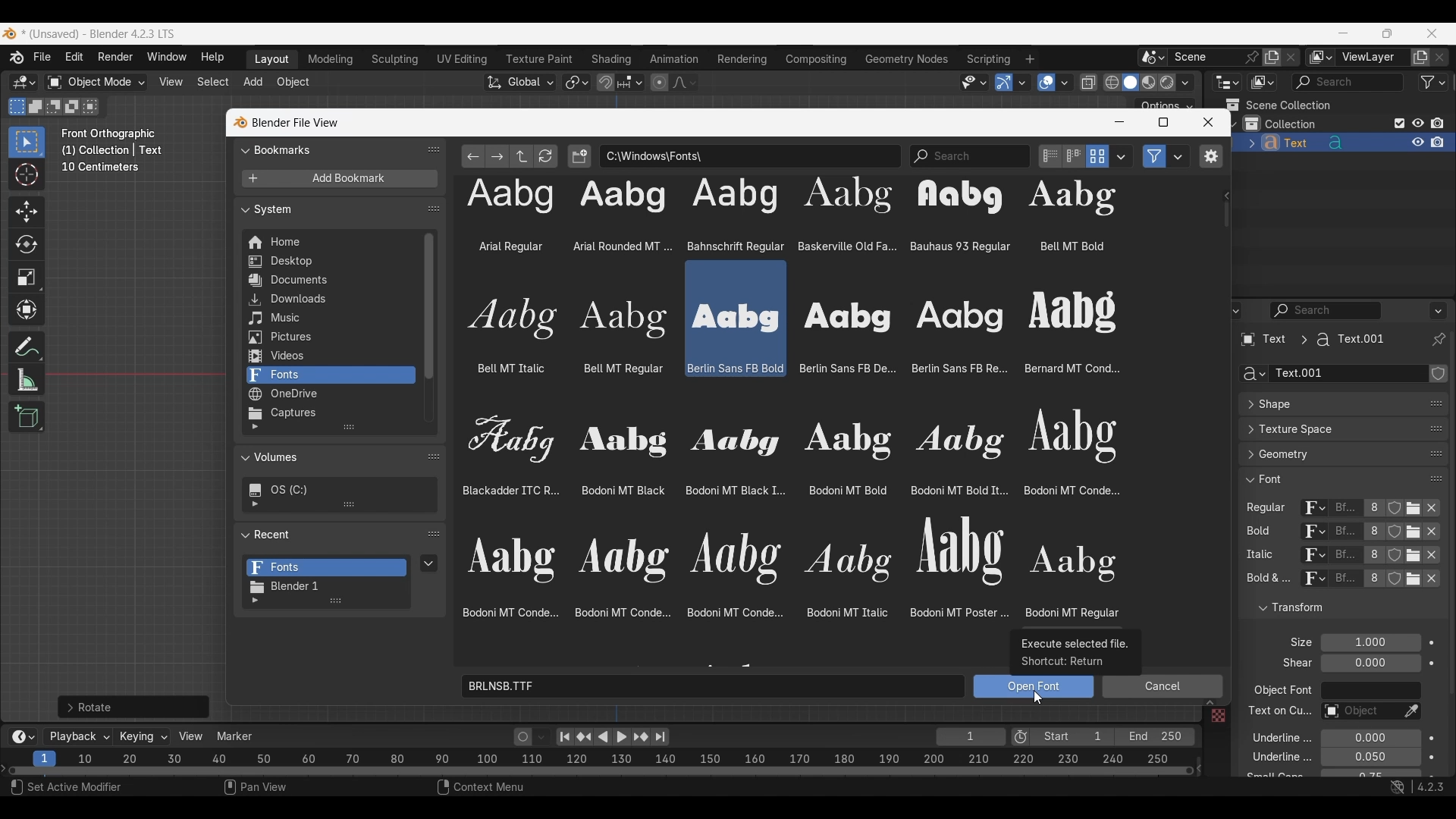 This screenshot has width=1456, height=819. I want to click on Viewport shading, rendered, so click(1166, 82).